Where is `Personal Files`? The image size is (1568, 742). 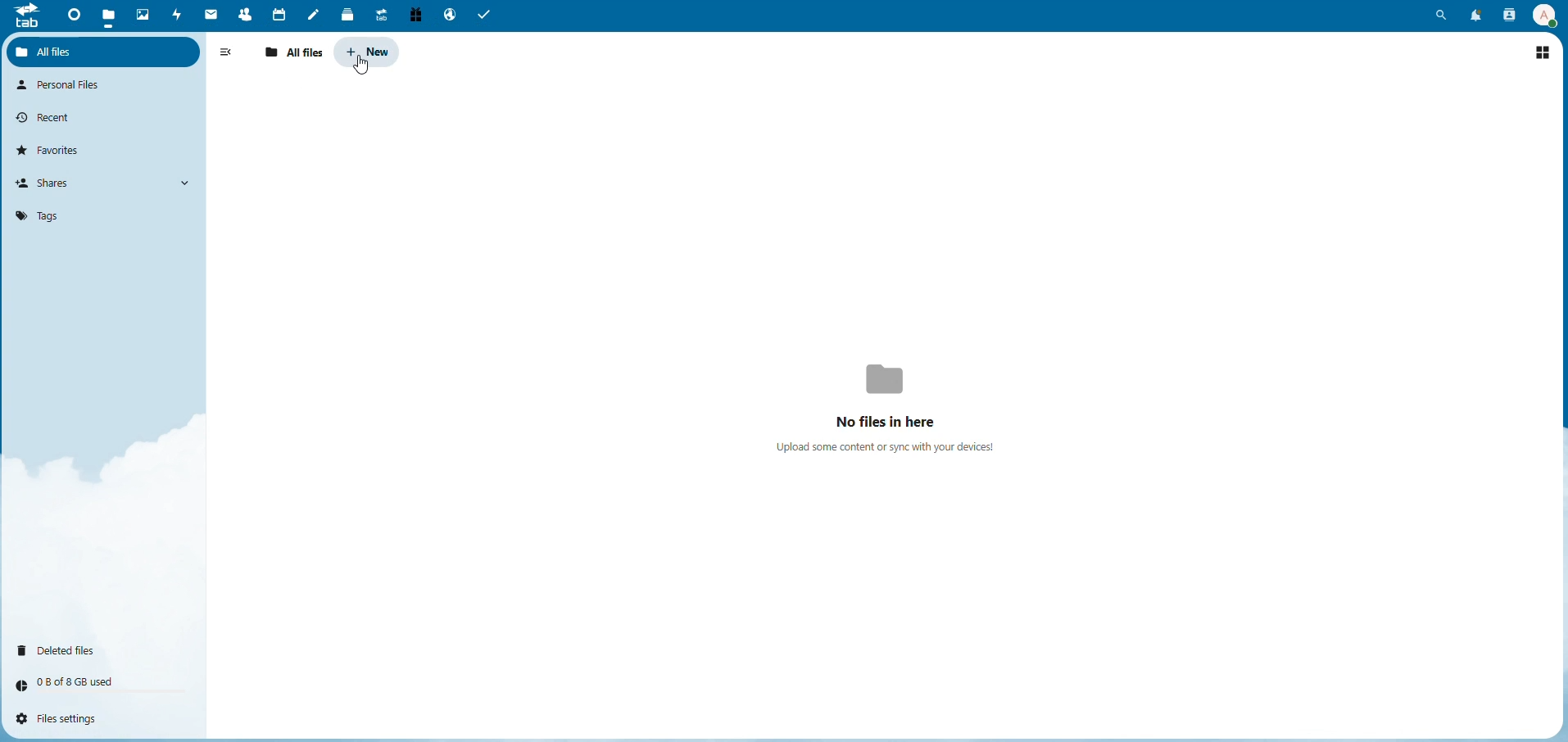
Personal Files is located at coordinates (66, 85).